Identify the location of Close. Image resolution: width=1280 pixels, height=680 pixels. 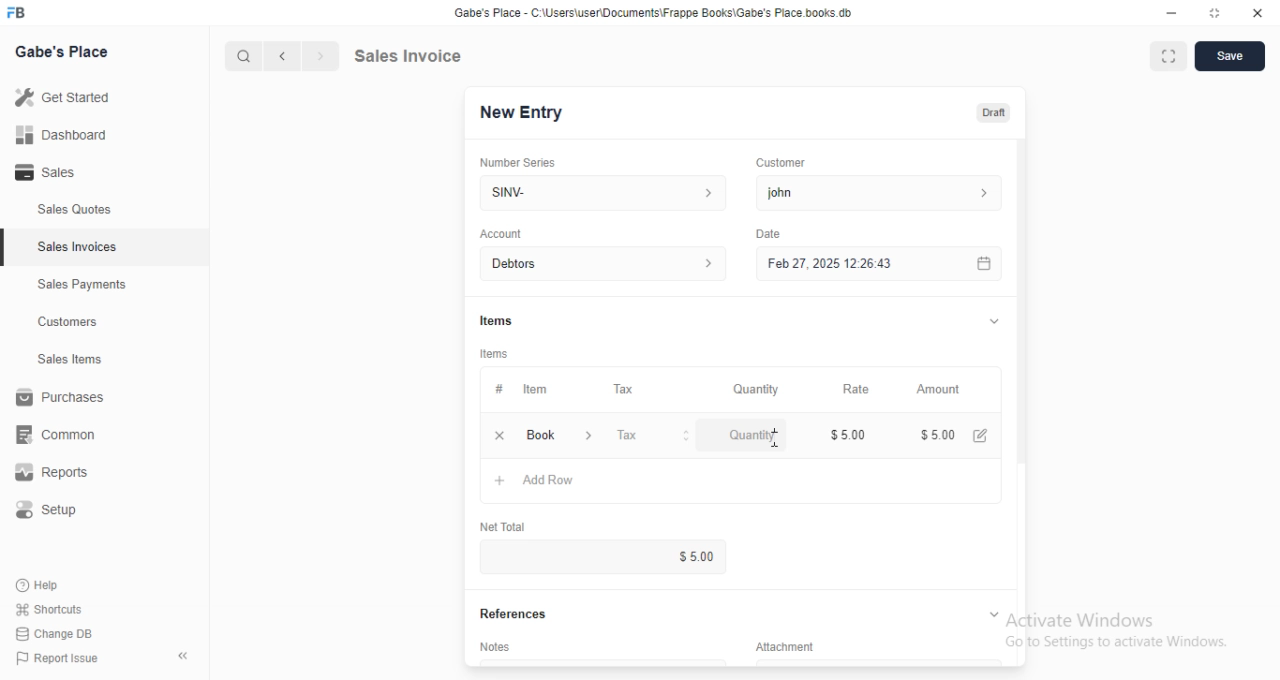
(1257, 14).